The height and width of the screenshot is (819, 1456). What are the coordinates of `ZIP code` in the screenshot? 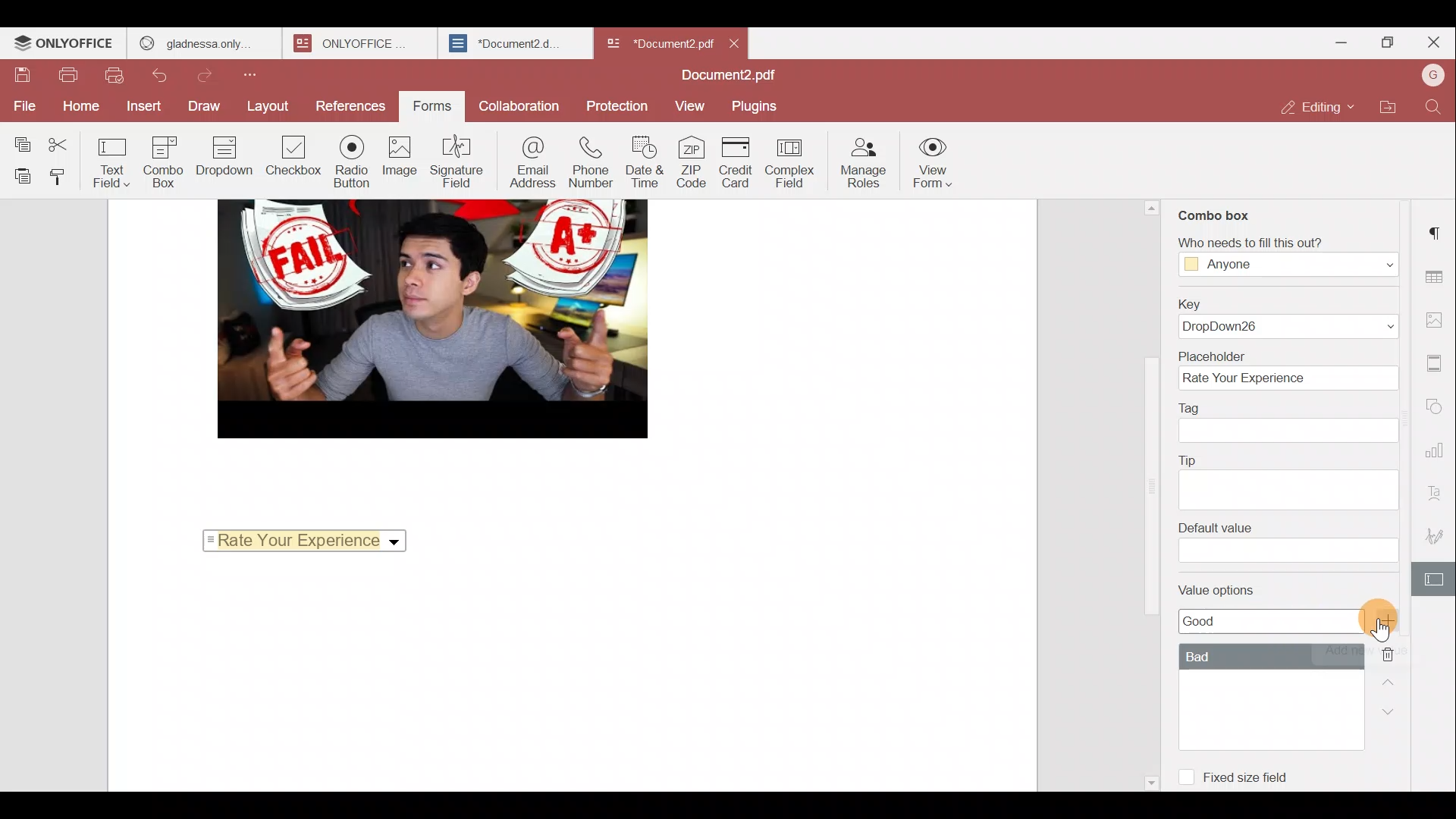 It's located at (692, 164).